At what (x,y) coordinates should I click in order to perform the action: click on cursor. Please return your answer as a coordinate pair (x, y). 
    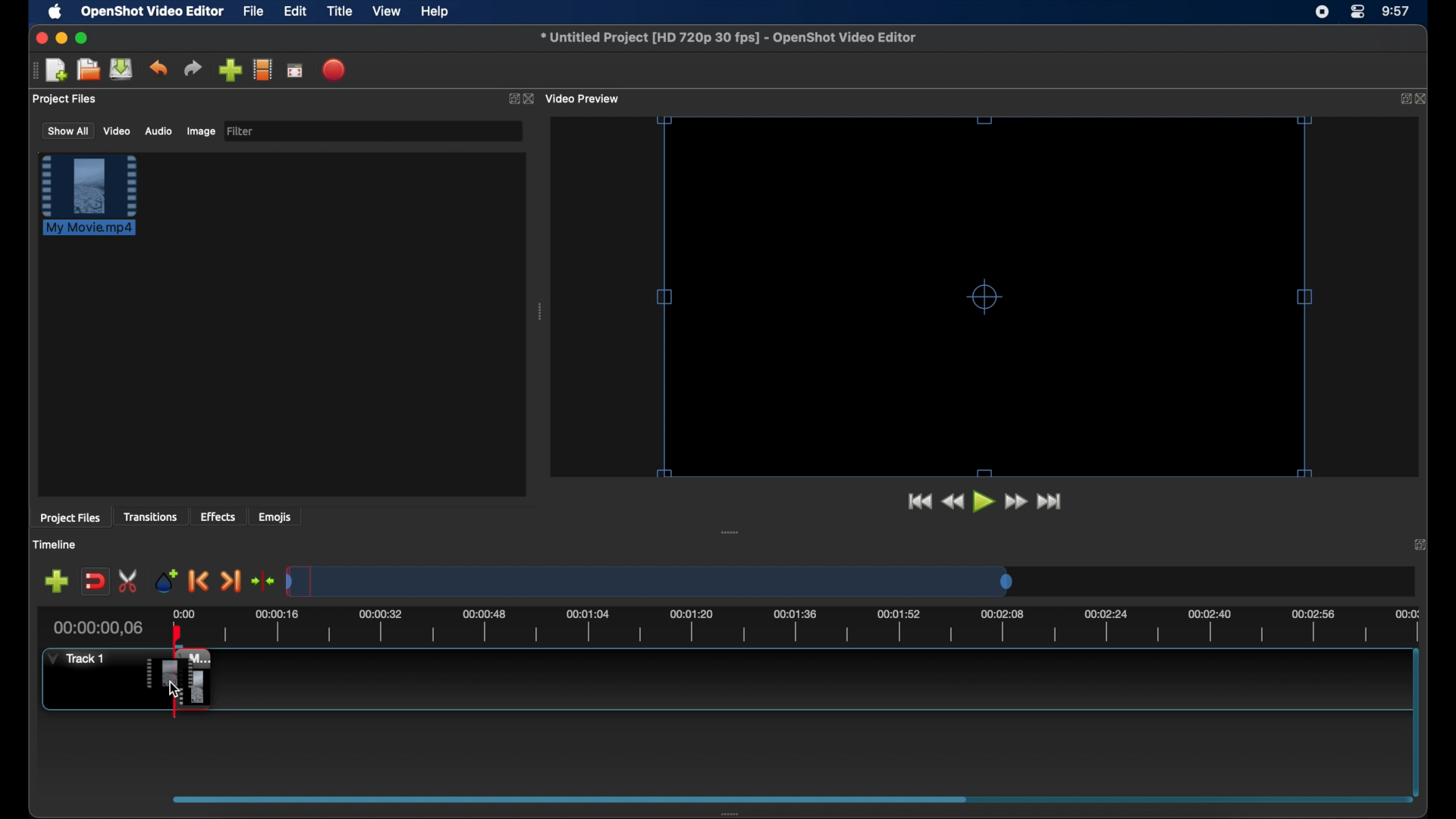
    Looking at the image, I should click on (174, 690).